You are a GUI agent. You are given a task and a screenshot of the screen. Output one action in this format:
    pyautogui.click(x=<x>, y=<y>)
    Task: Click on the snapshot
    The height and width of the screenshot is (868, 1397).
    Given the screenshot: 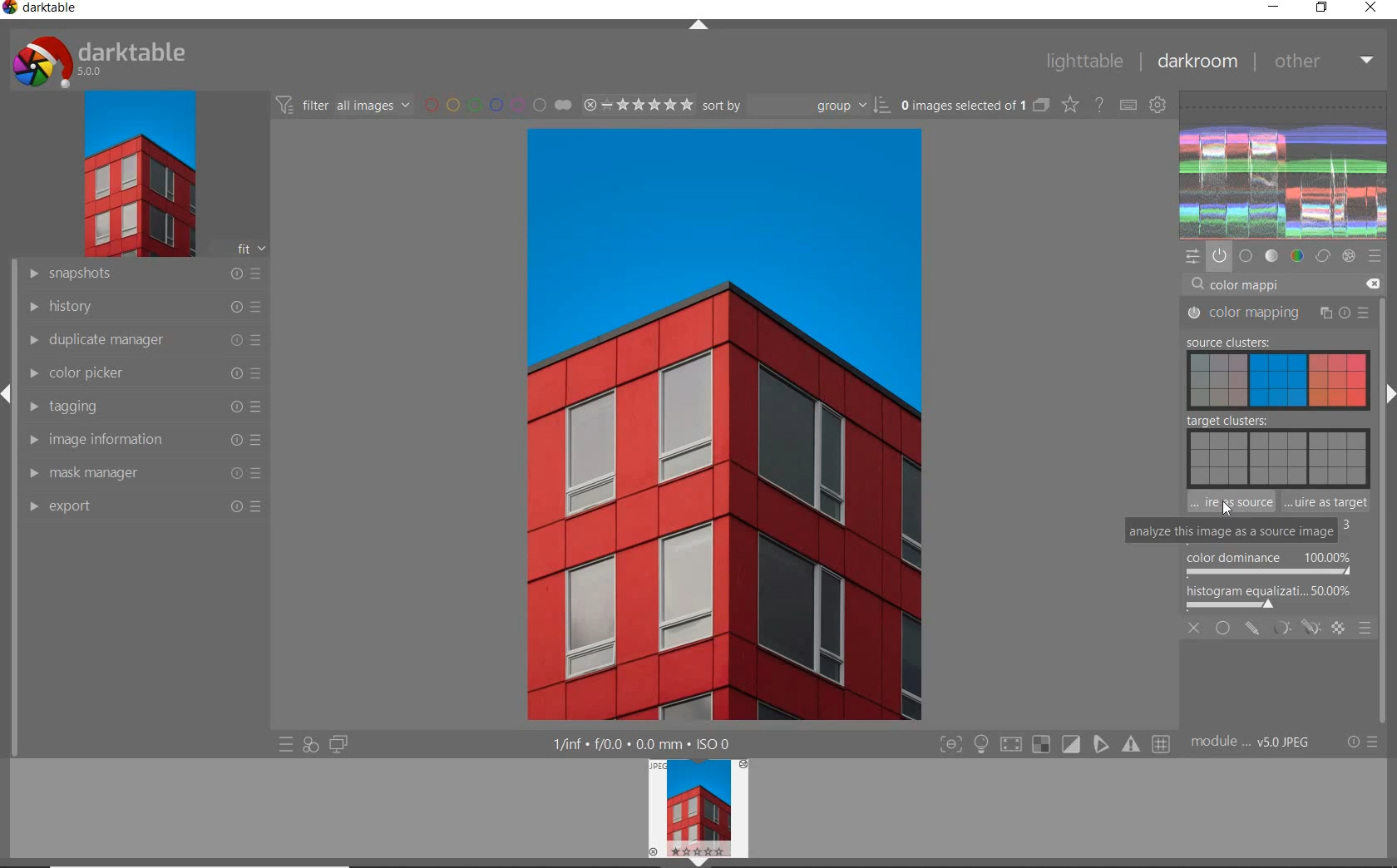 What is the action you would take?
    pyautogui.click(x=146, y=274)
    